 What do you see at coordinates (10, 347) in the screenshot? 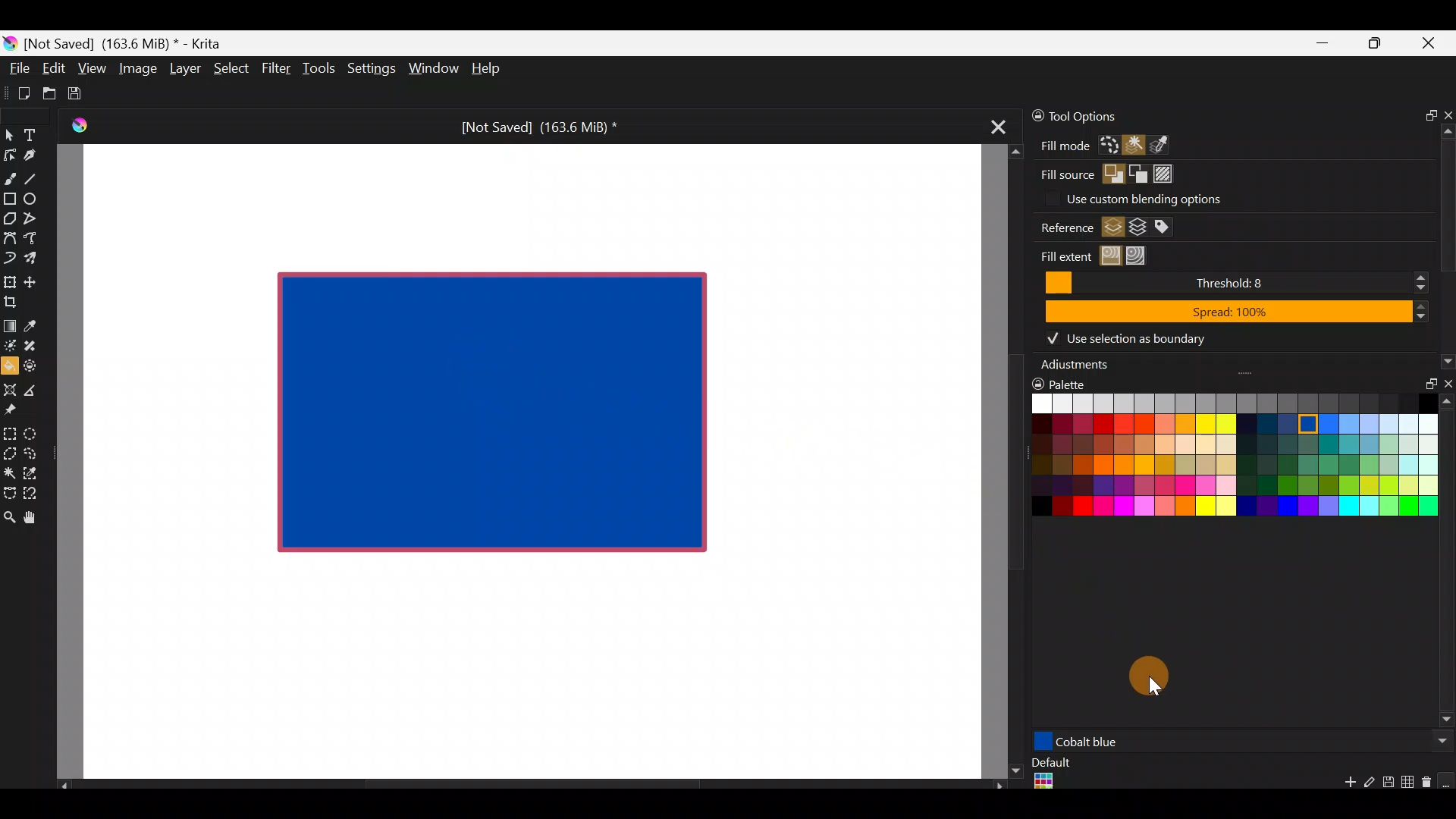
I see `Colourise mask tool` at bounding box center [10, 347].